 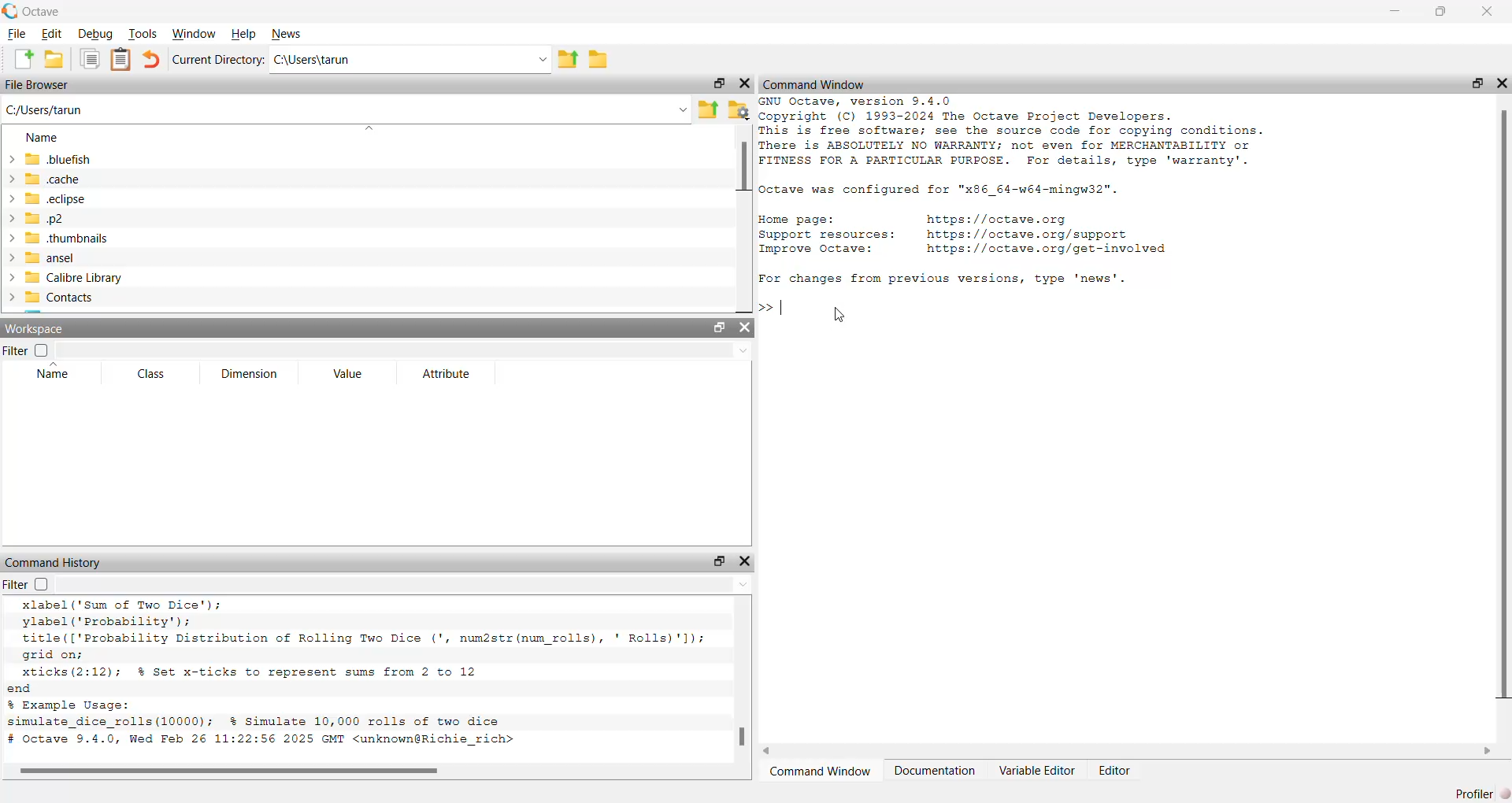 I want to click on Maximize, so click(x=1442, y=12).